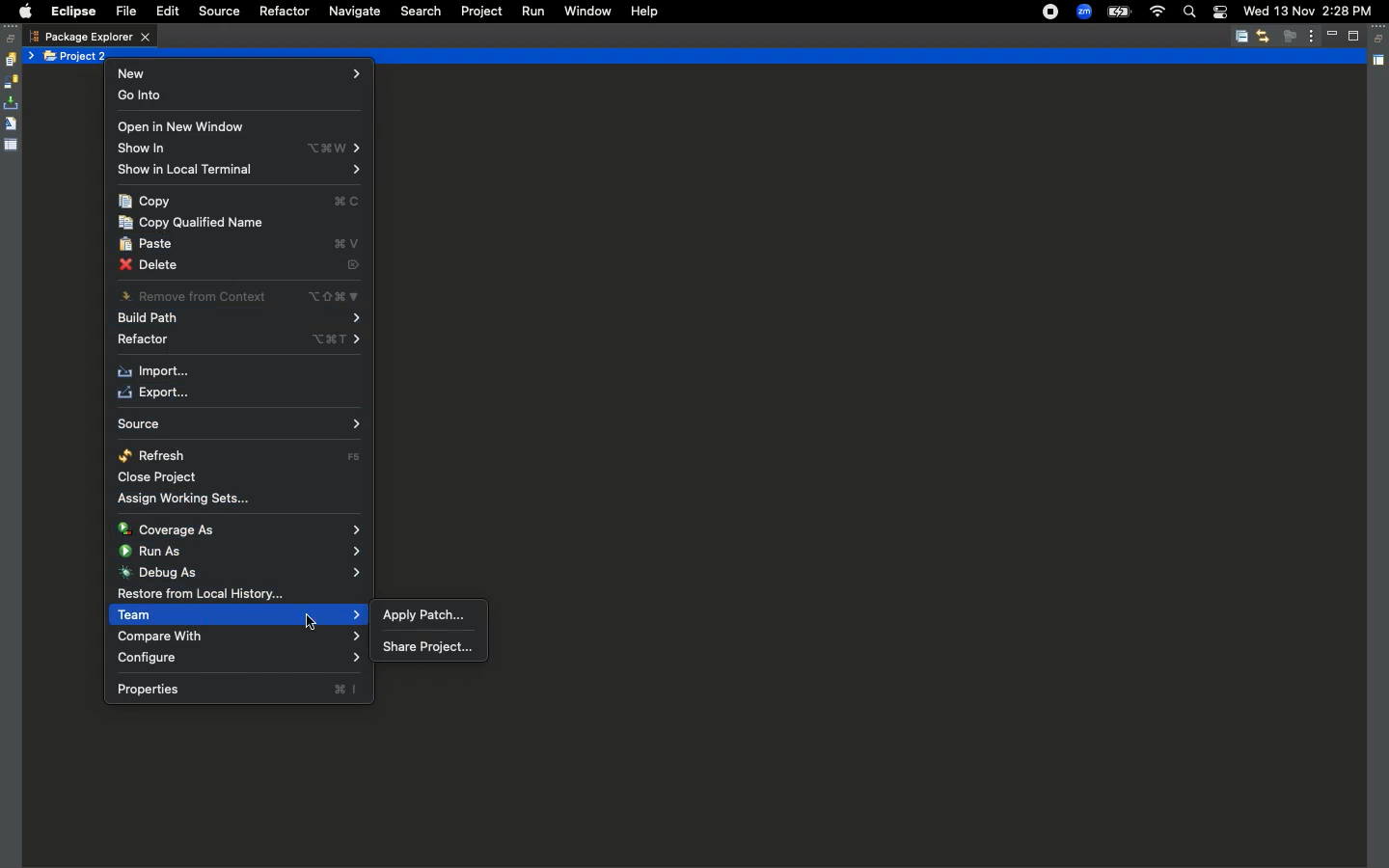 This screenshot has height=868, width=1389. What do you see at coordinates (237, 637) in the screenshot?
I see `Compare with` at bounding box center [237, 637].